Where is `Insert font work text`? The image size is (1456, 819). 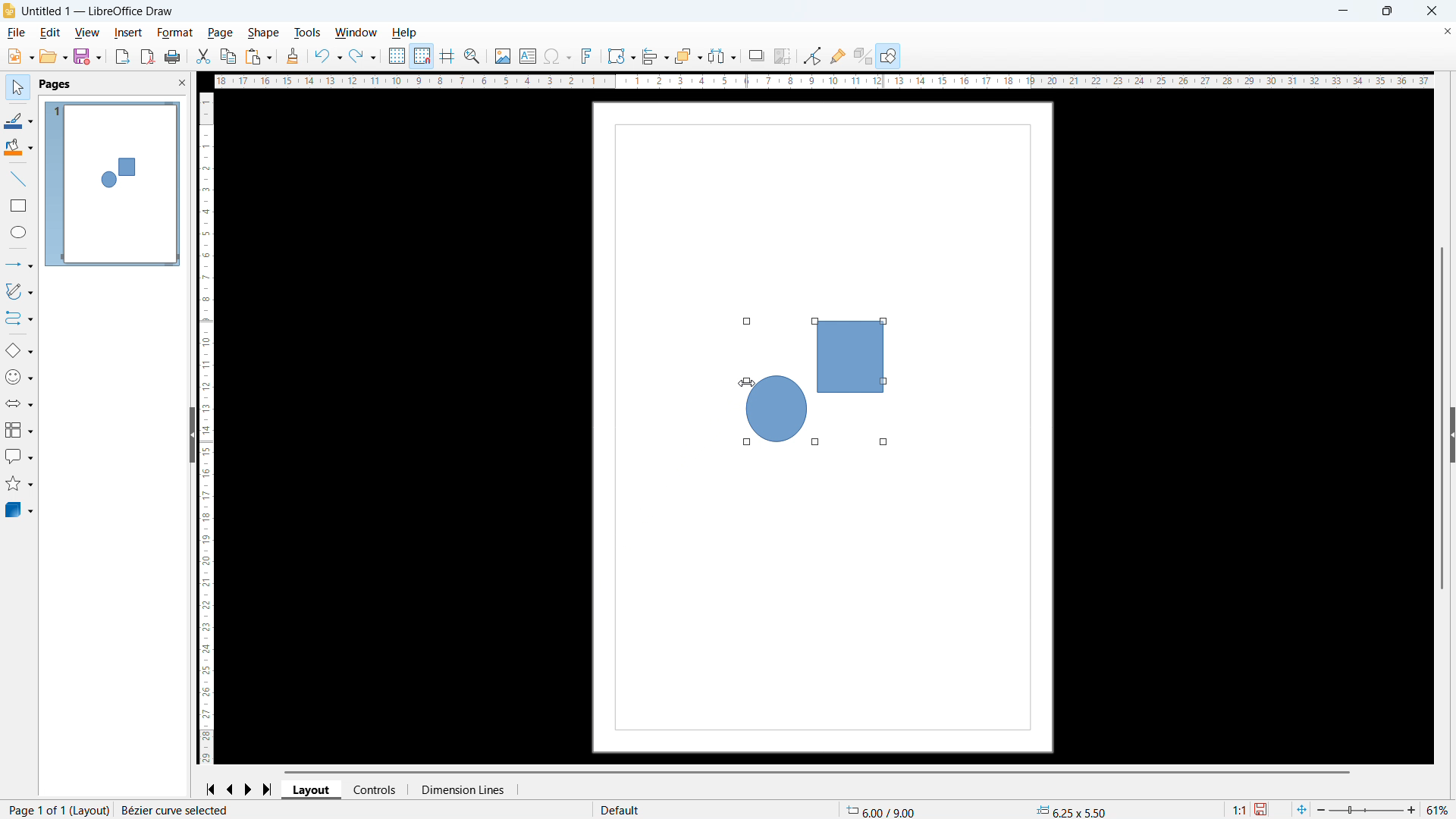
Insert font work text is located at coordinates (587, 55).